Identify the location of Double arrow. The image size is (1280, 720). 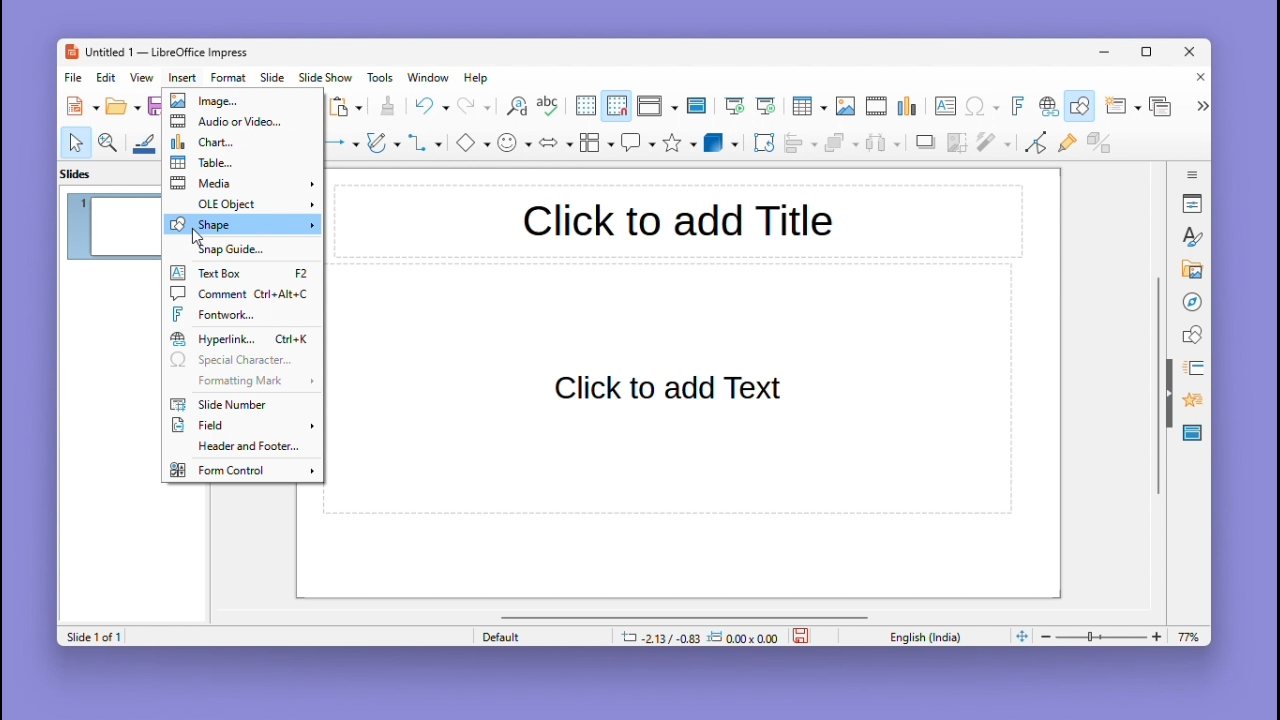
(556, 141).